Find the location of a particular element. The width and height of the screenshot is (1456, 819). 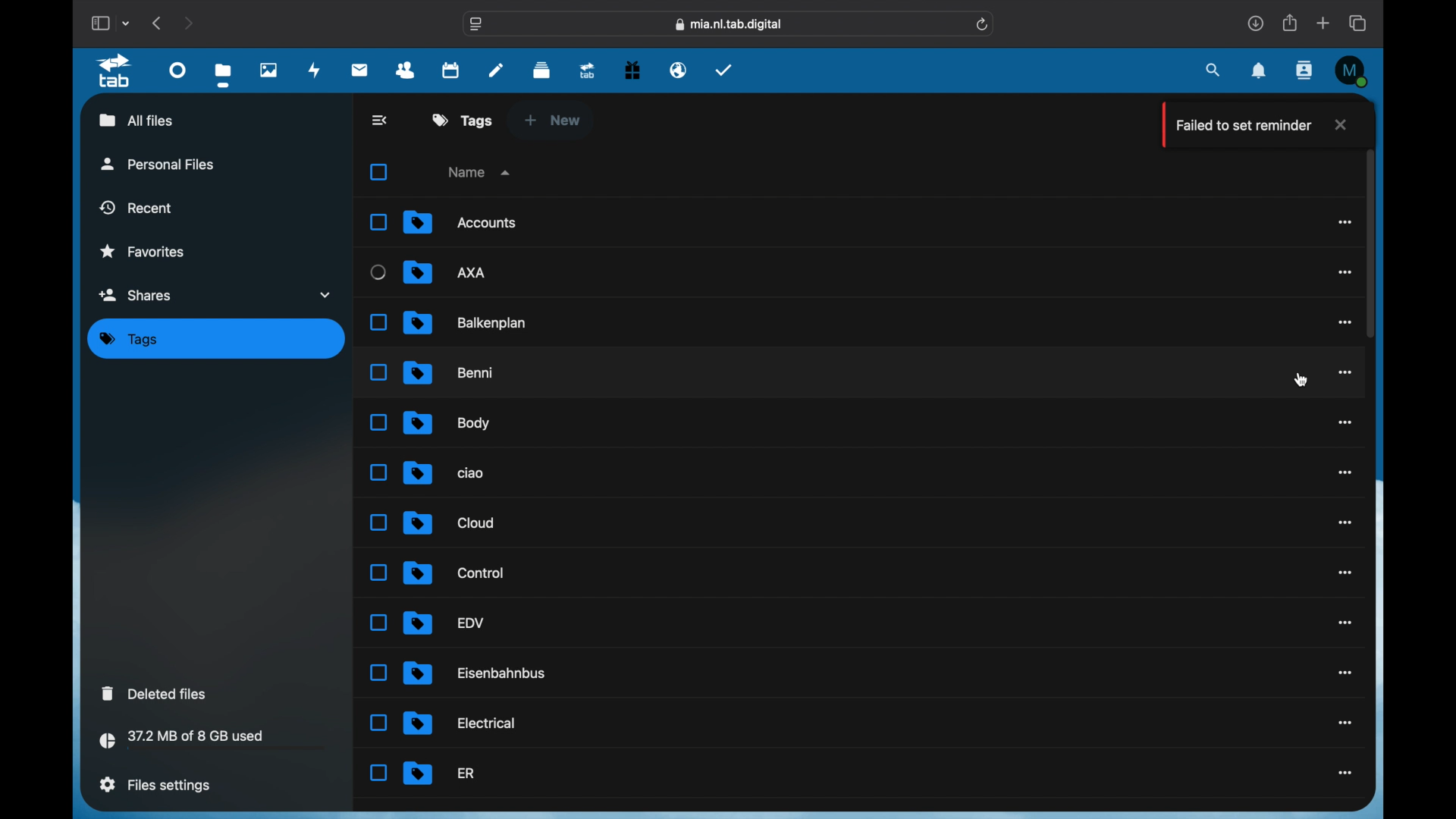

files is located at coordinates (226, 75).